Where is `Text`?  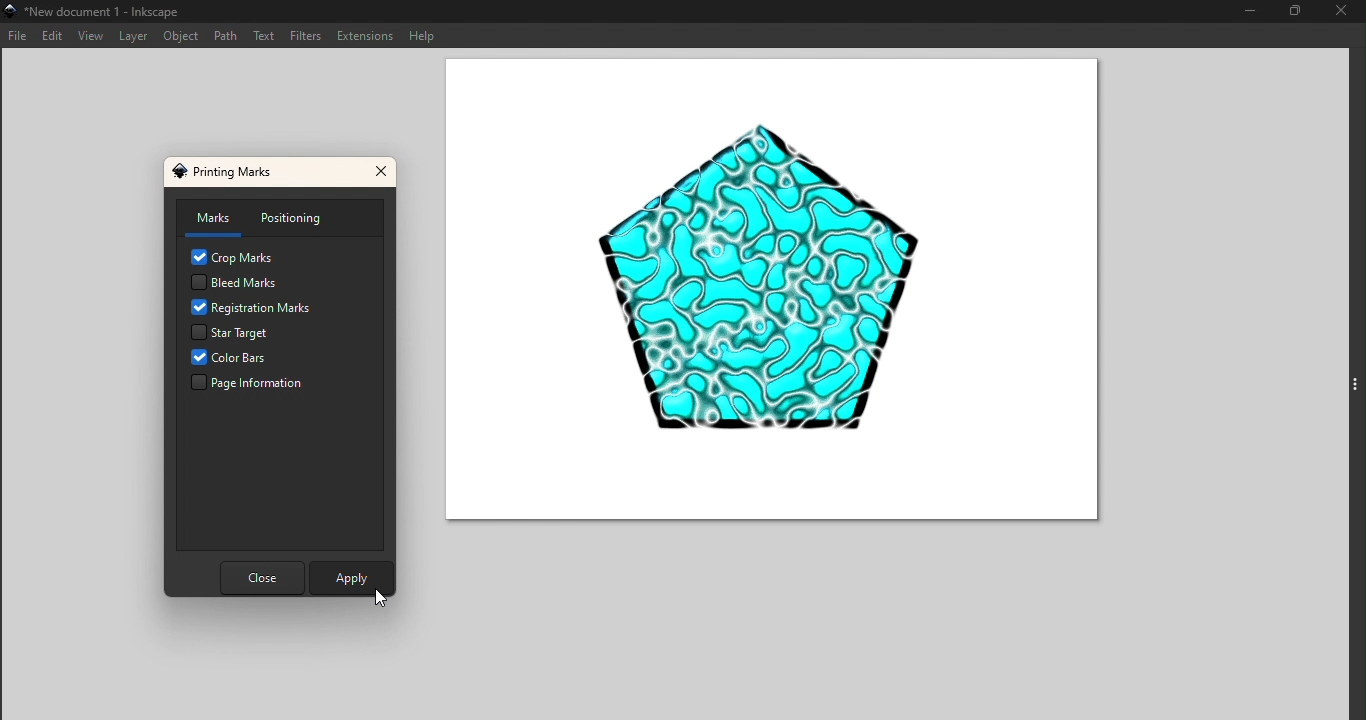
Text is located at coordinates (267, 38).